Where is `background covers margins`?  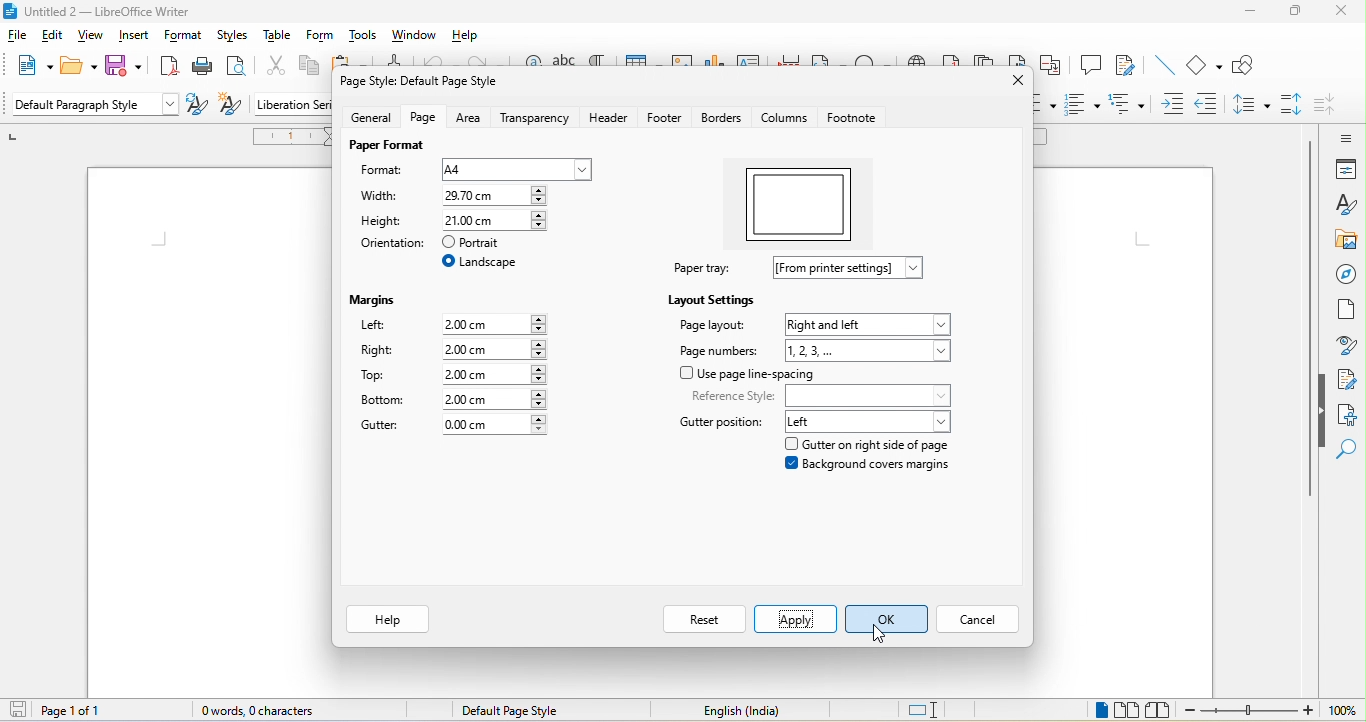 background covers margins is located at coordinates (871, 468).